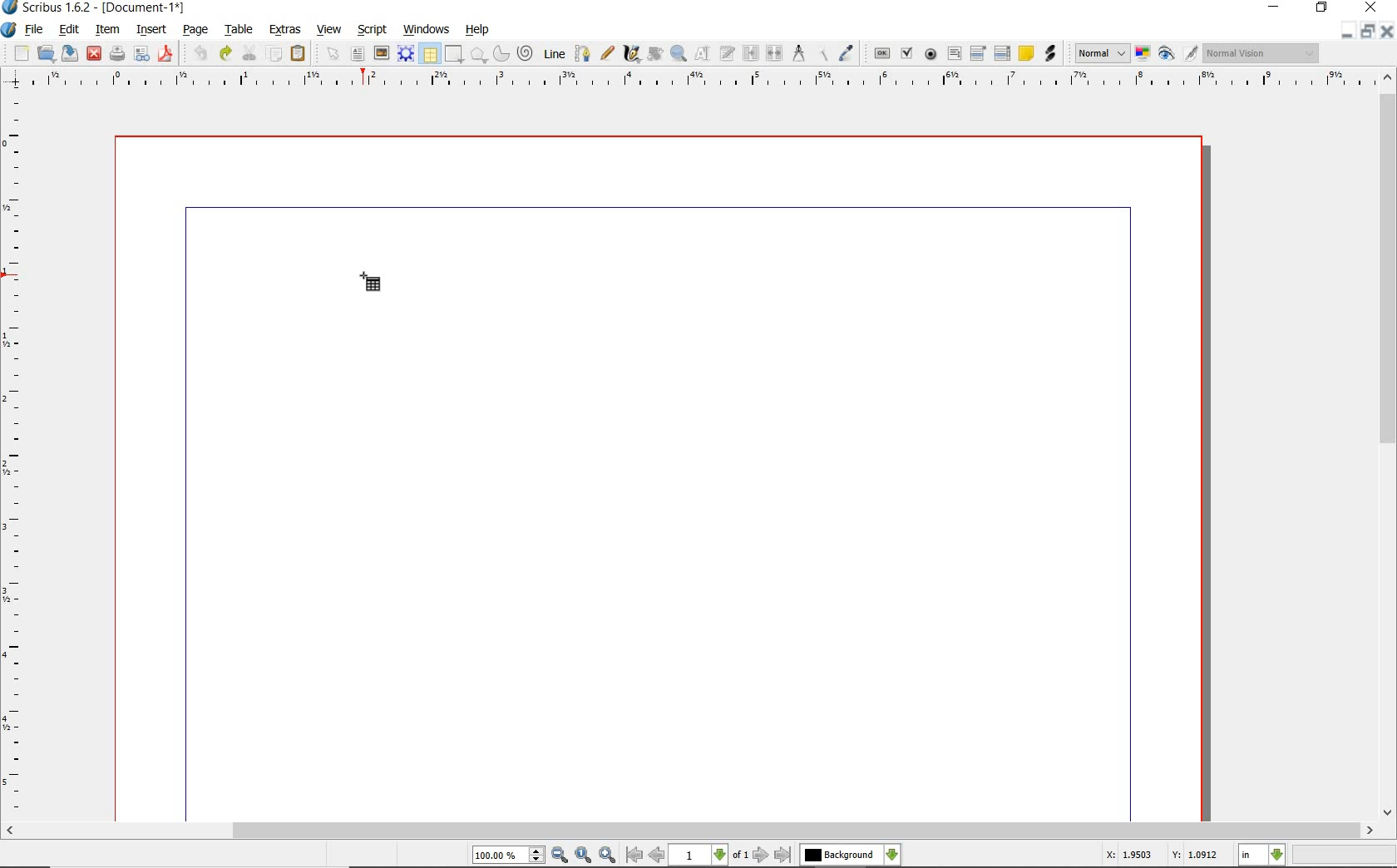 The height and width of the screenshot is (868, 1397). Describe the element at coordinates (406, 52) in the screenshot. I see `render frame` at that location.